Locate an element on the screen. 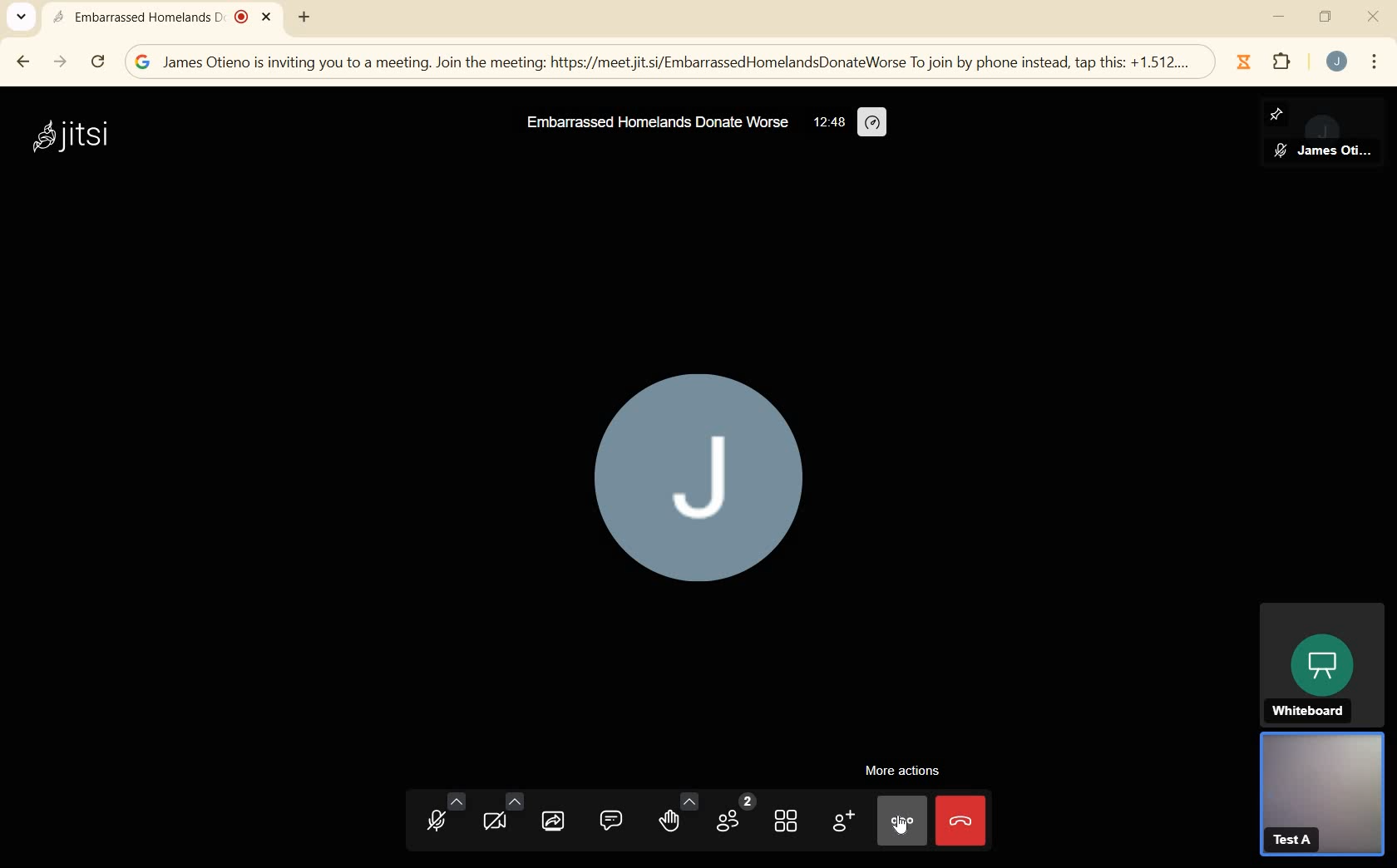 This screenshot has height=868, width=1397. leave meeting is located at coordinates (963, 823).